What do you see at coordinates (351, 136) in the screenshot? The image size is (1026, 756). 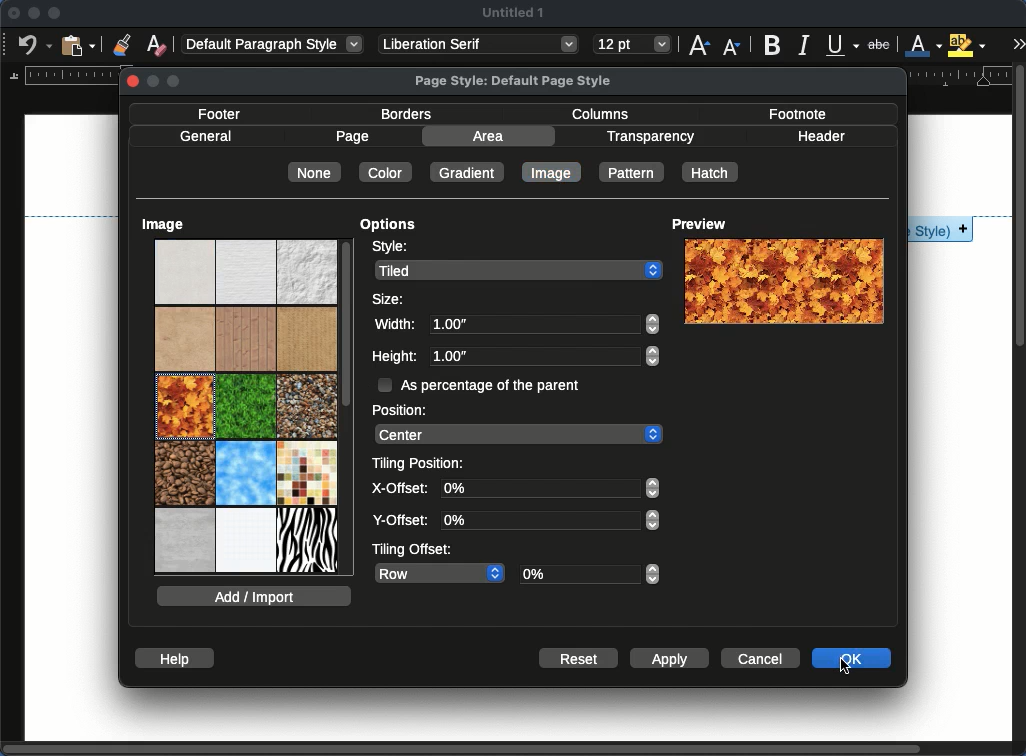 I see `page` at bounding box center [351, 136].